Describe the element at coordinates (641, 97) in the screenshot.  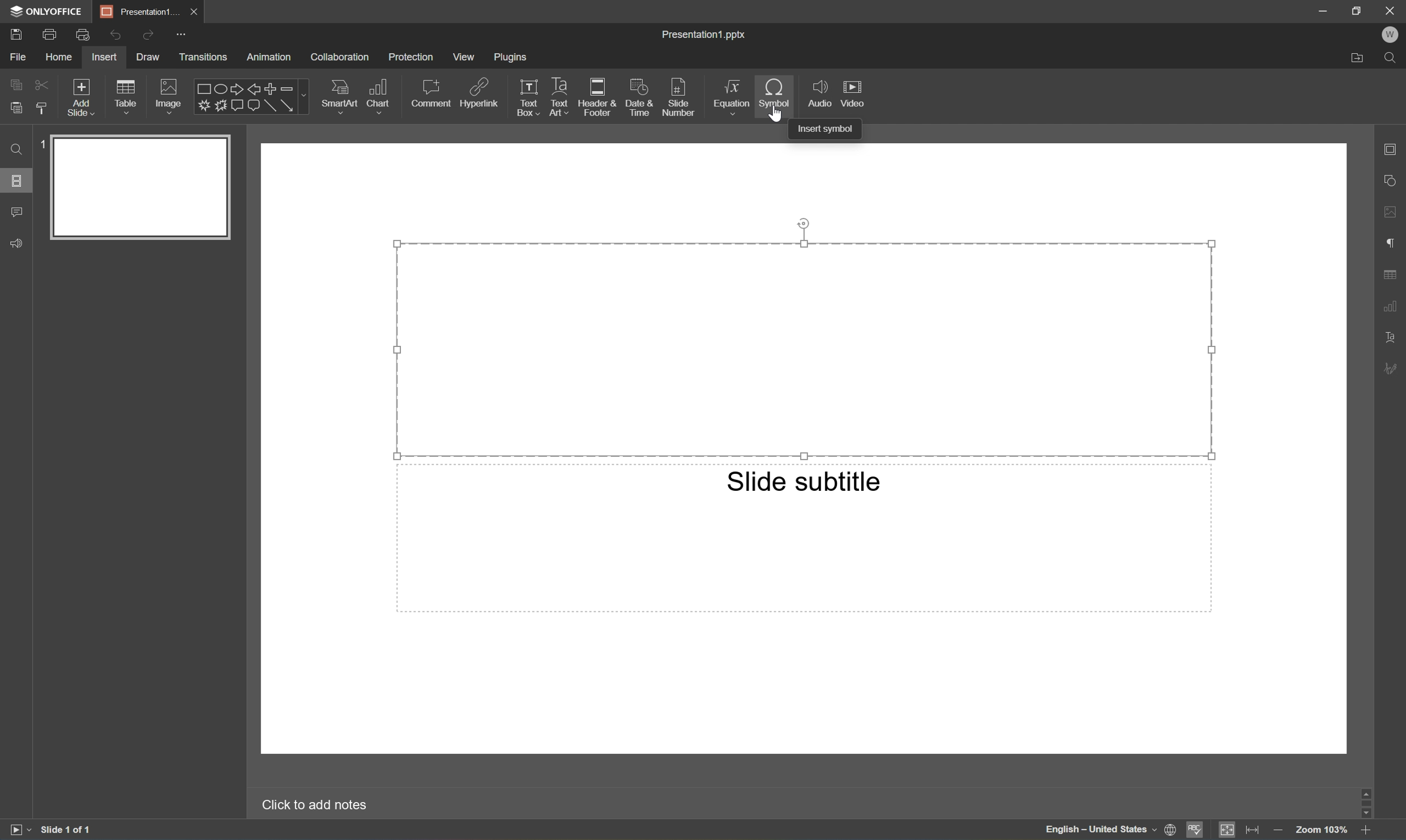
I see `Date & Time` at that location.